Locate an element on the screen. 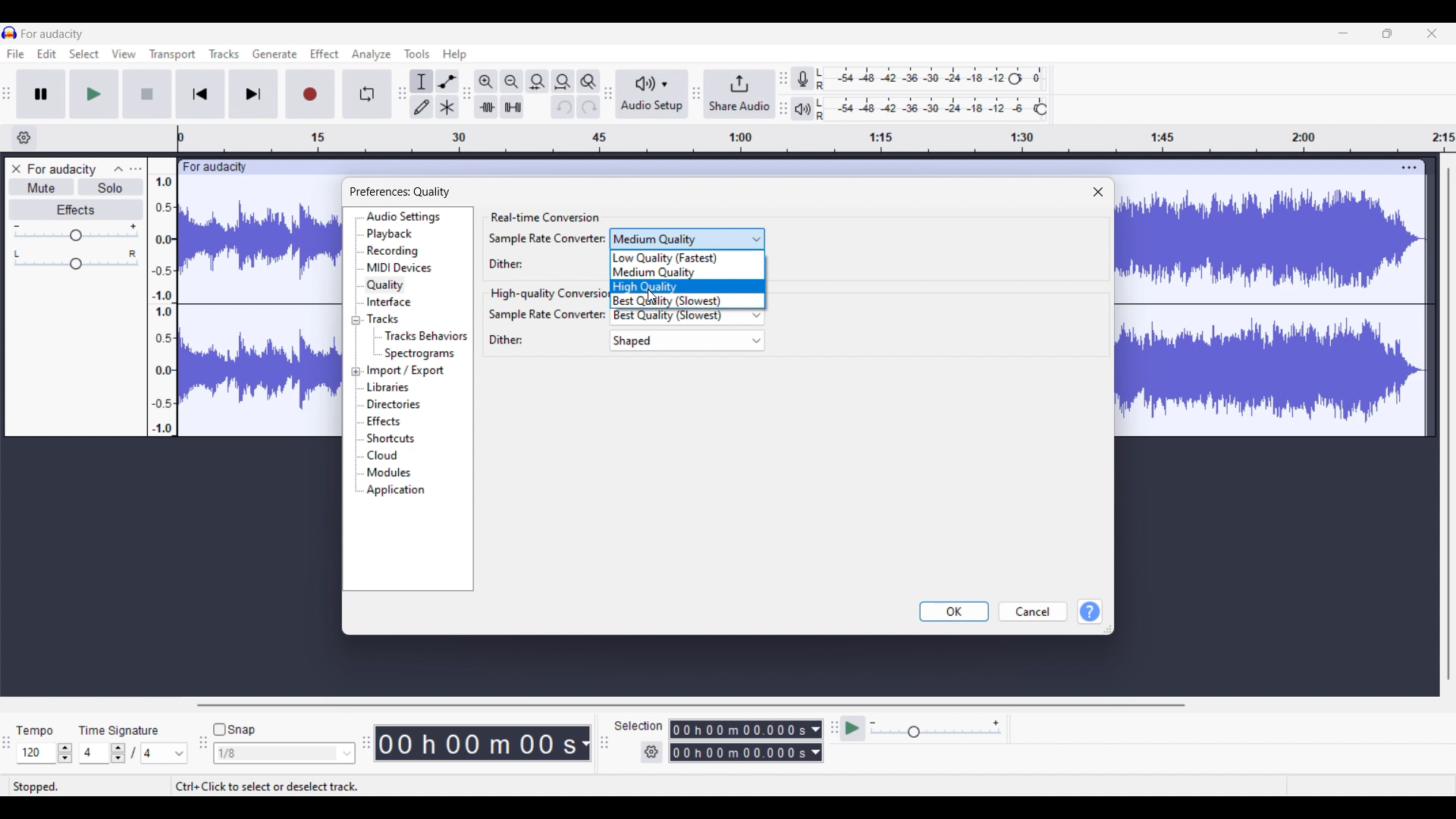 This screenshot has width=1456, height=819. Header to change volume is located at coordinates (76, 235).